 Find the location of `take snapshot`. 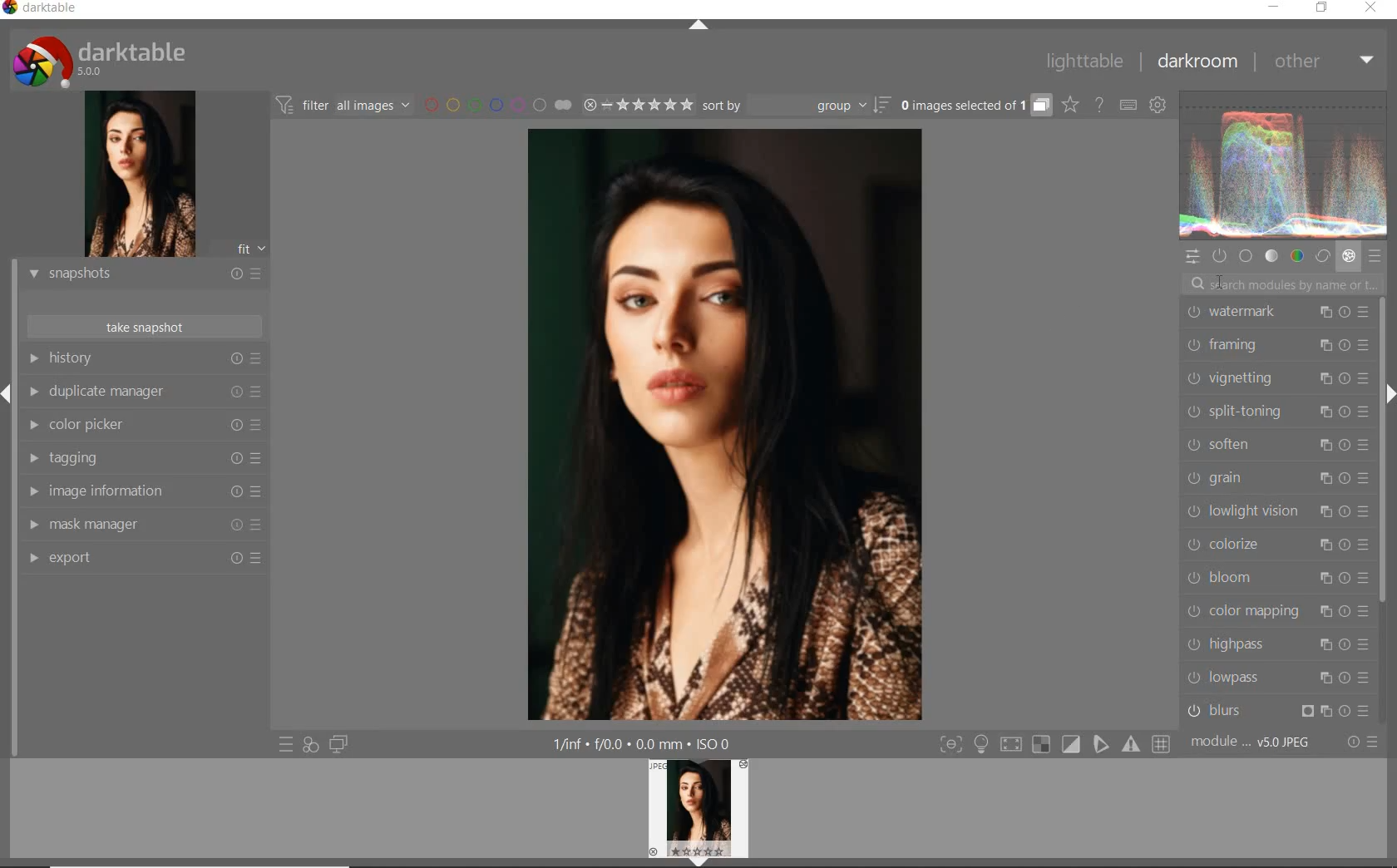

take snapshot is located at coordinates (143, 328).